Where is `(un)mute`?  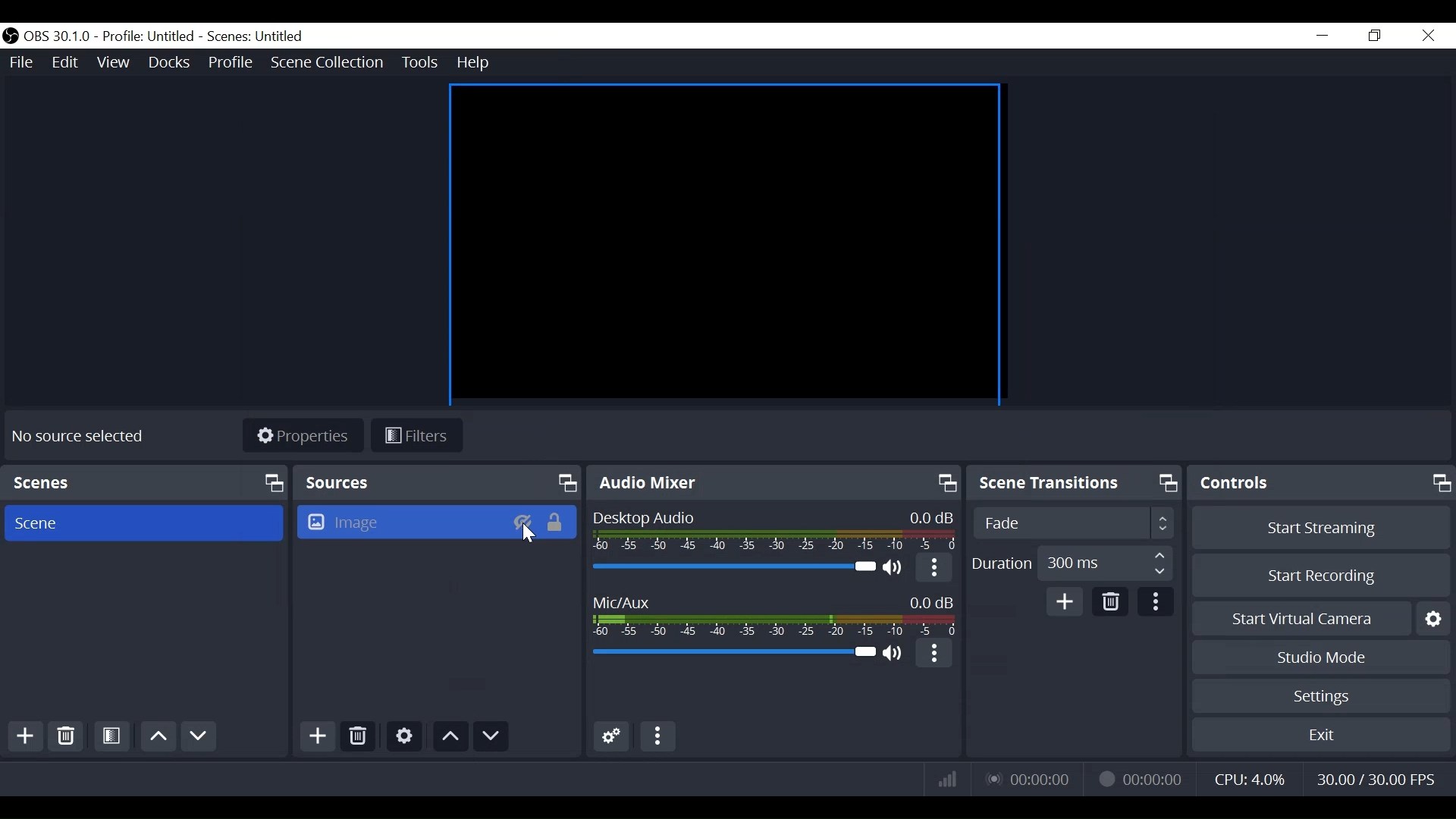 (un)mute is located at coordinates (894, 654).